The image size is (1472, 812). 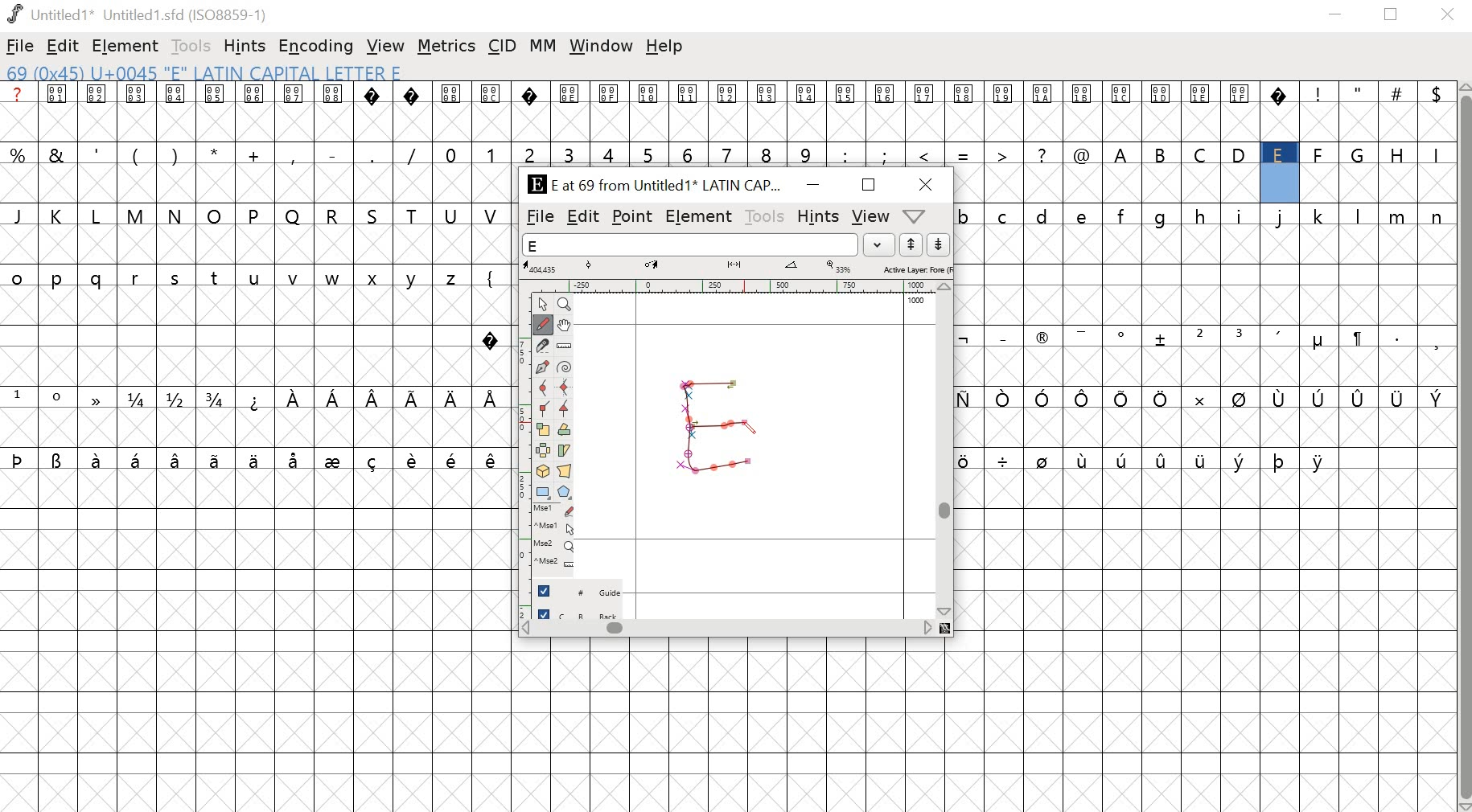 I want to click on measurements, so click(x=737, y=268).